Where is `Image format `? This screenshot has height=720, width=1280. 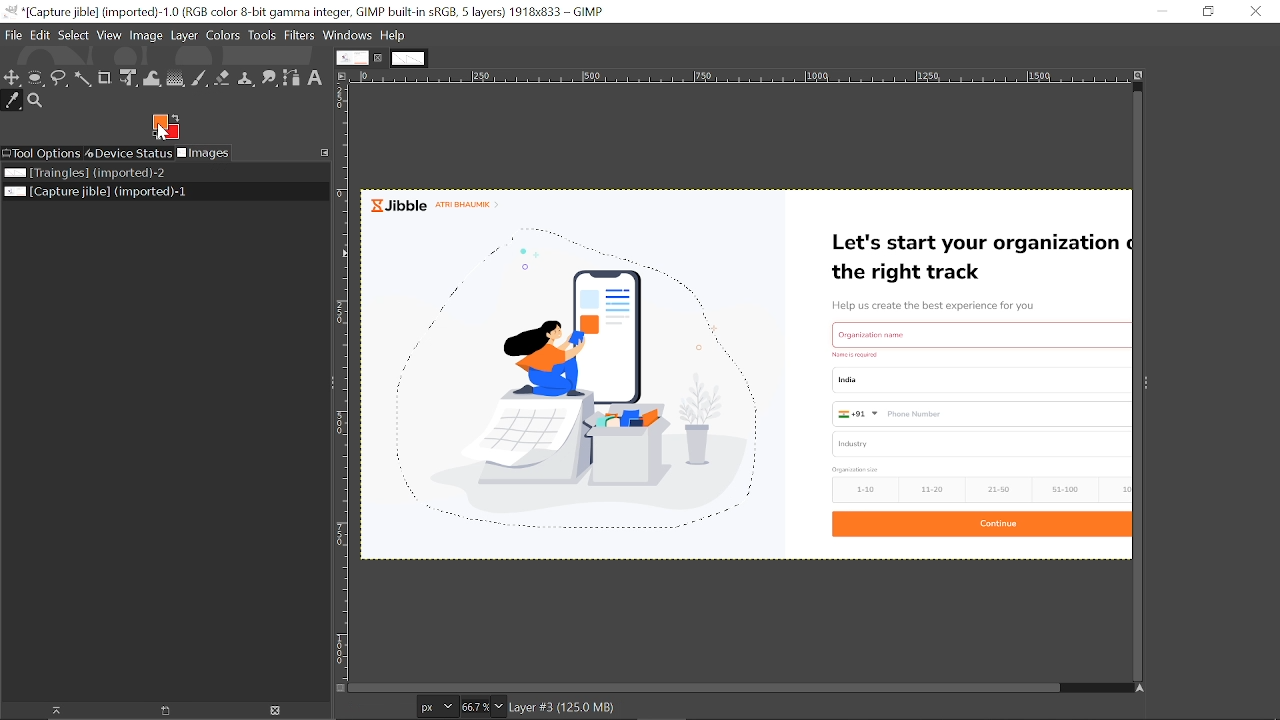 Image format  is located at coordinates (438, 707).